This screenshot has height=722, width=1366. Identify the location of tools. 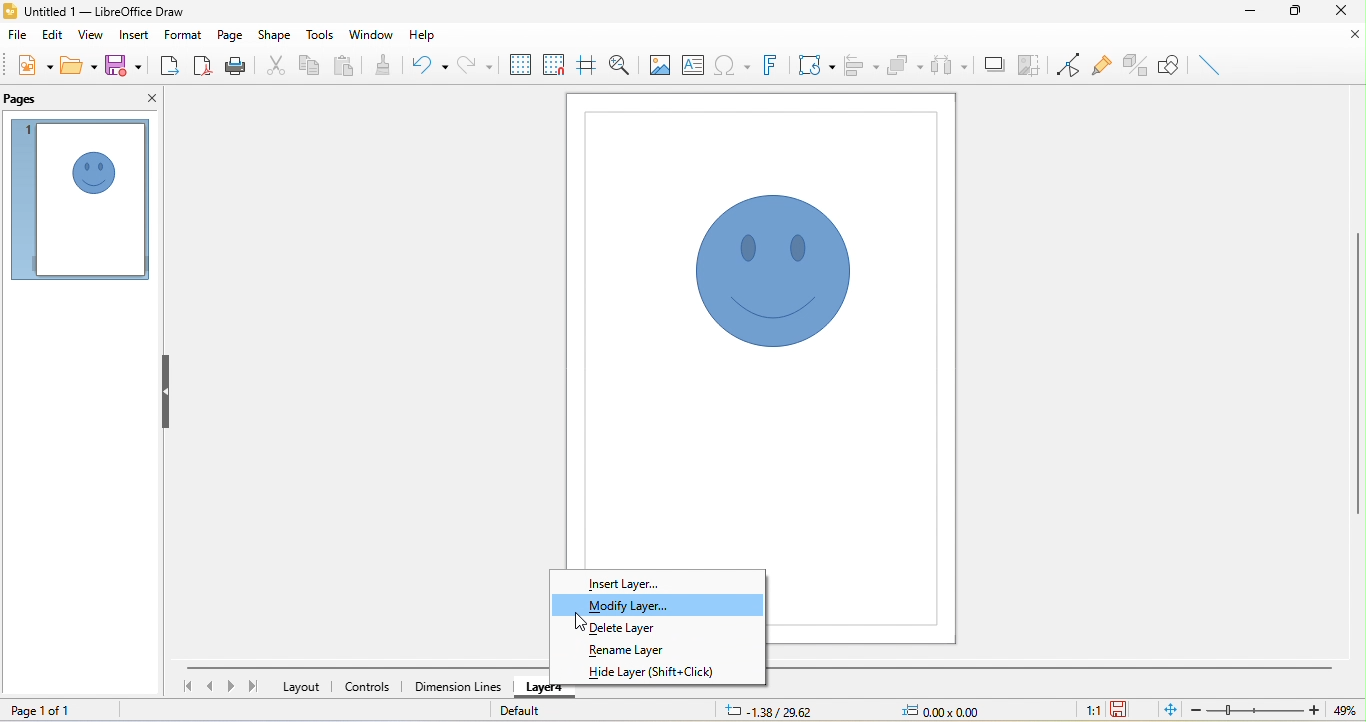
(322, 35).